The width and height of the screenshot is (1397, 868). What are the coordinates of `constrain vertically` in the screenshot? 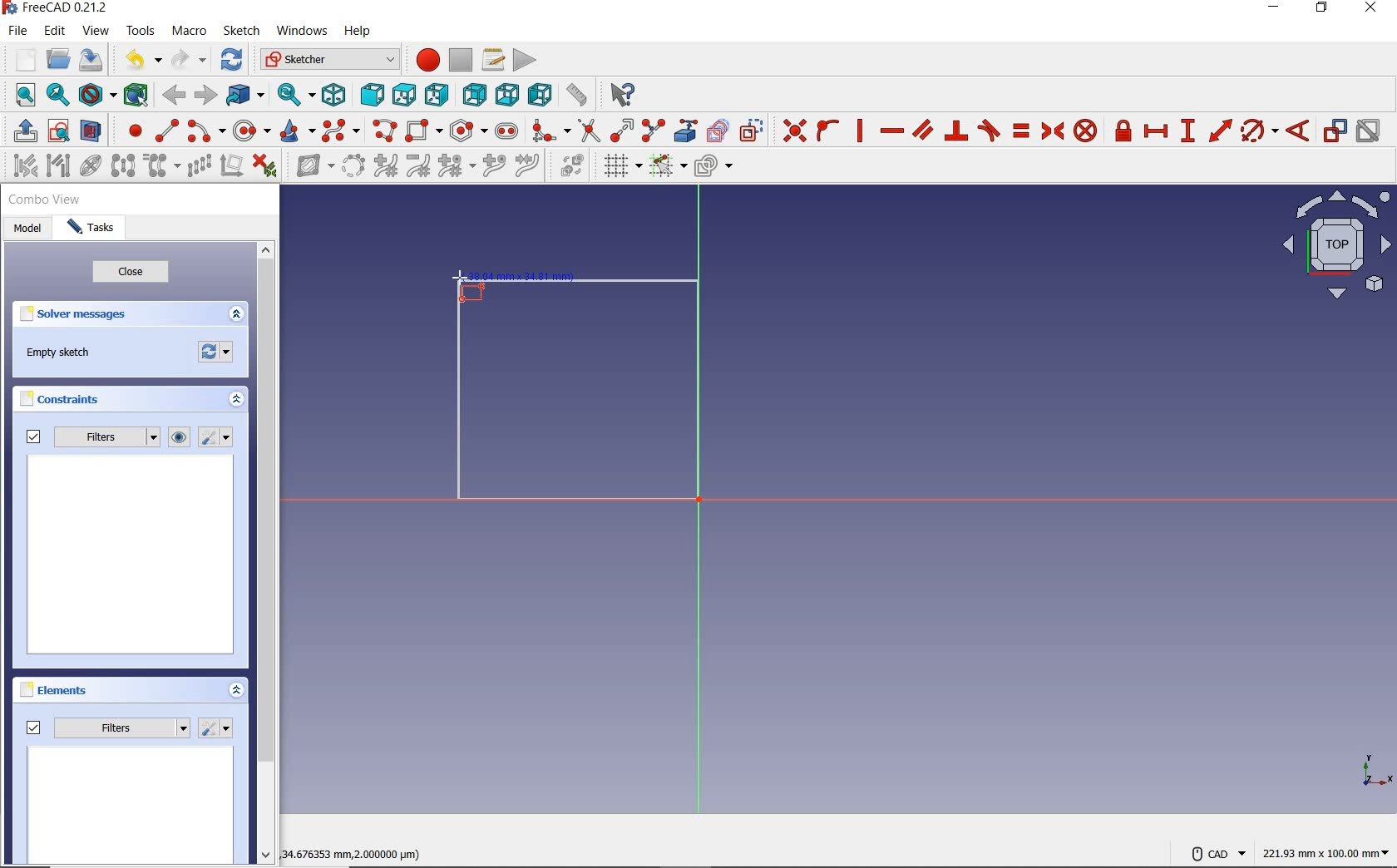 It's located at (861, 131).